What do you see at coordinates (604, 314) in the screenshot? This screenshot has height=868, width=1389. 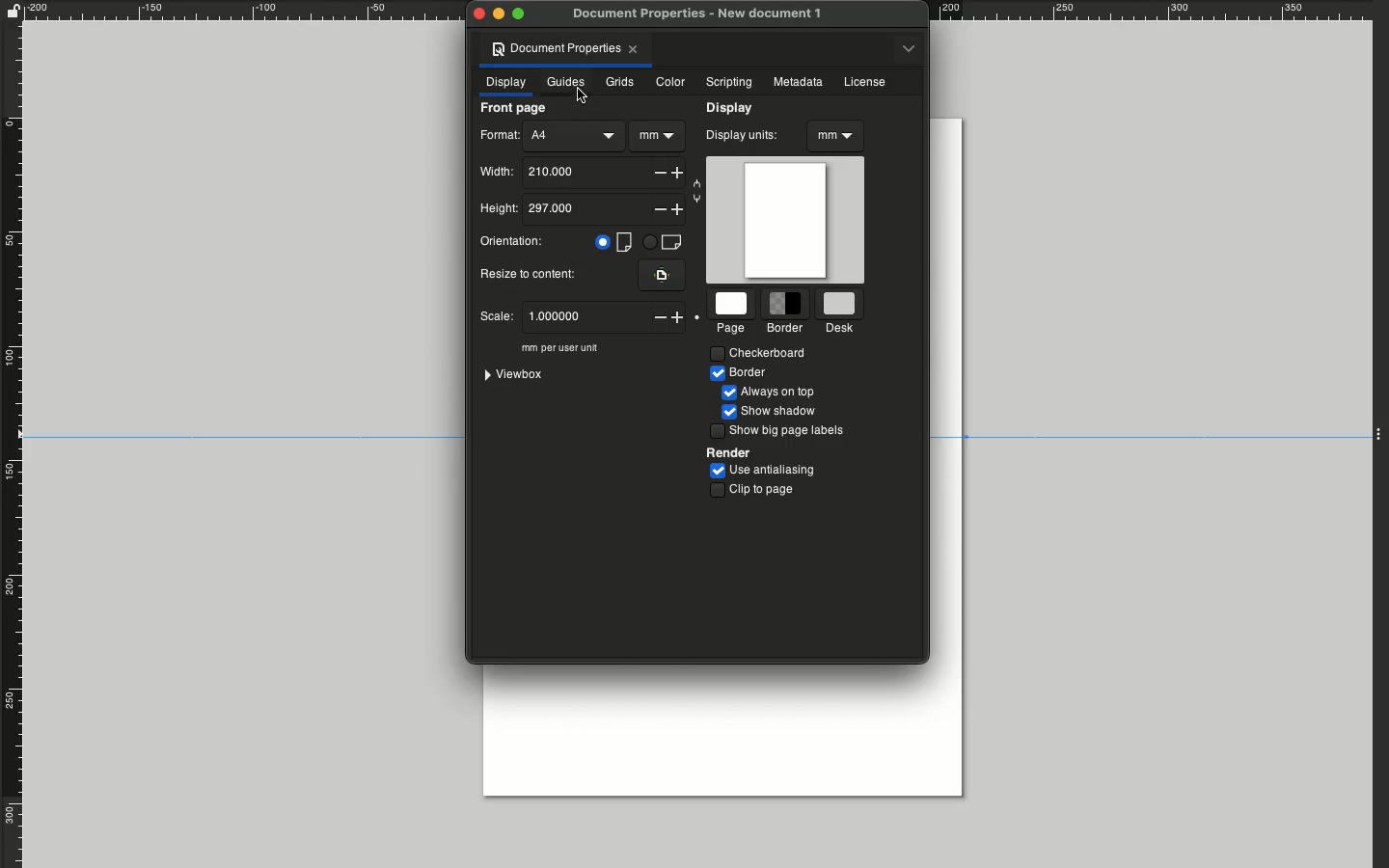 I see `1.0` at bounding box center [604, 314].